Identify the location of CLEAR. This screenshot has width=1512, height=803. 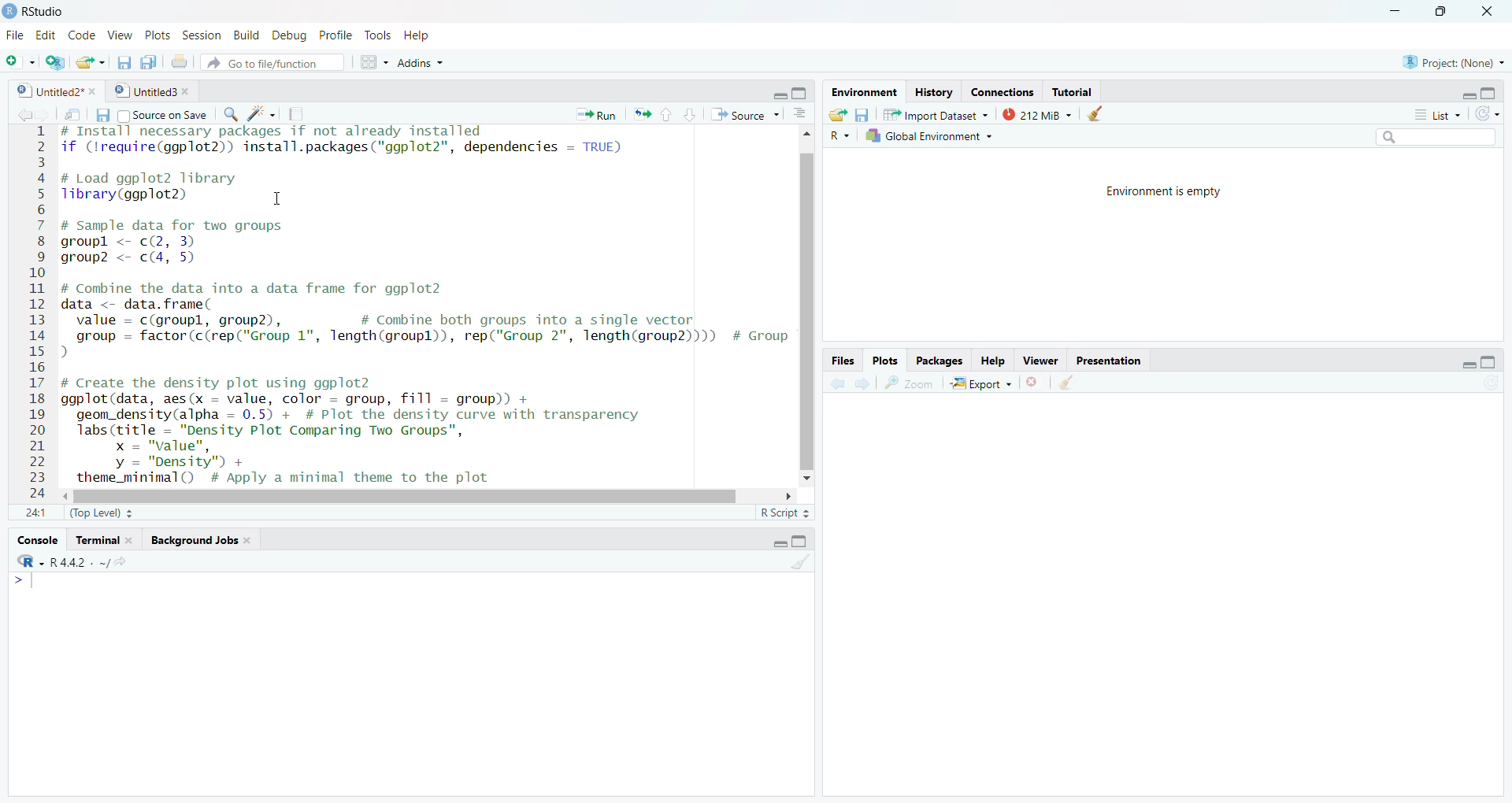
(1074, 383).